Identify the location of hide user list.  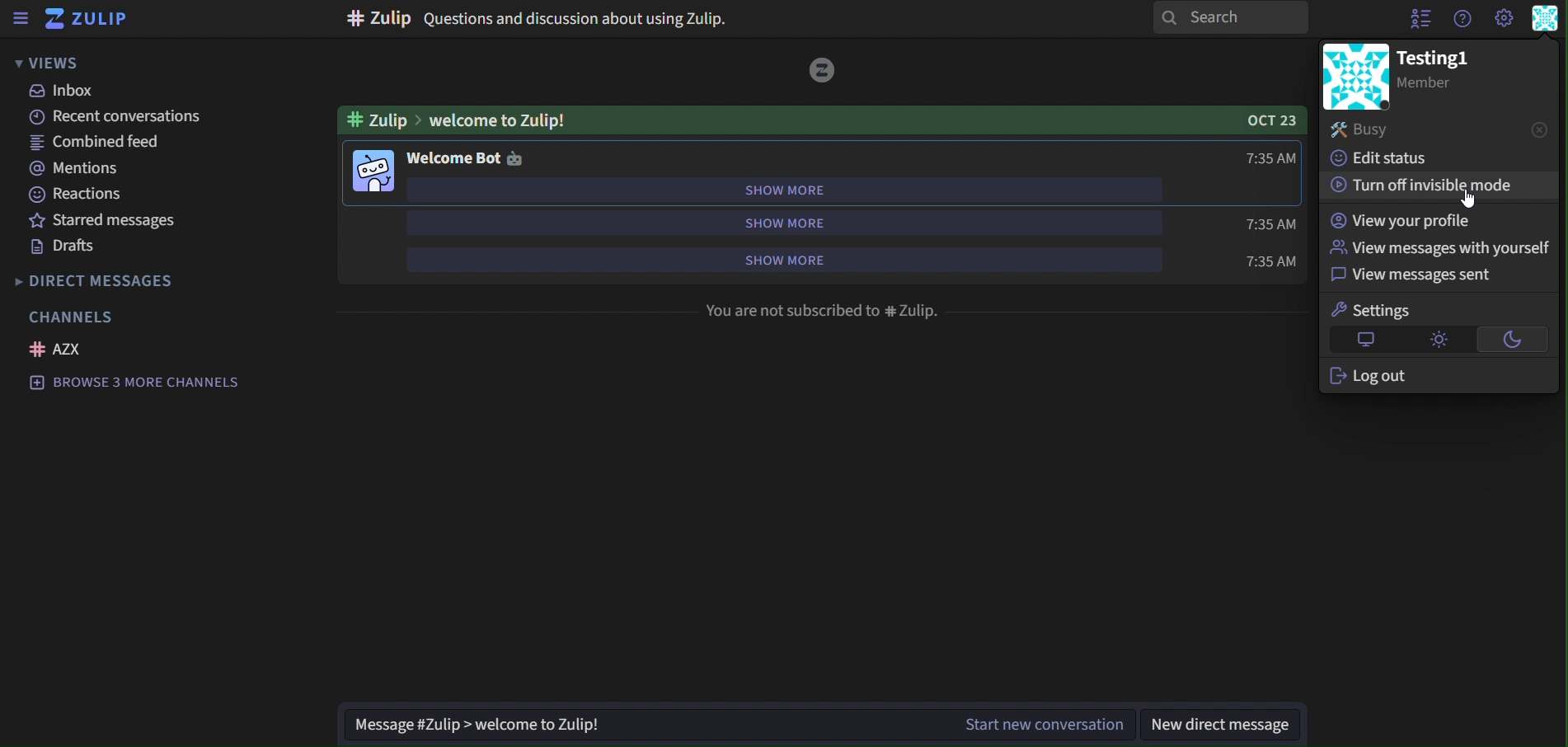
(1418, 20).